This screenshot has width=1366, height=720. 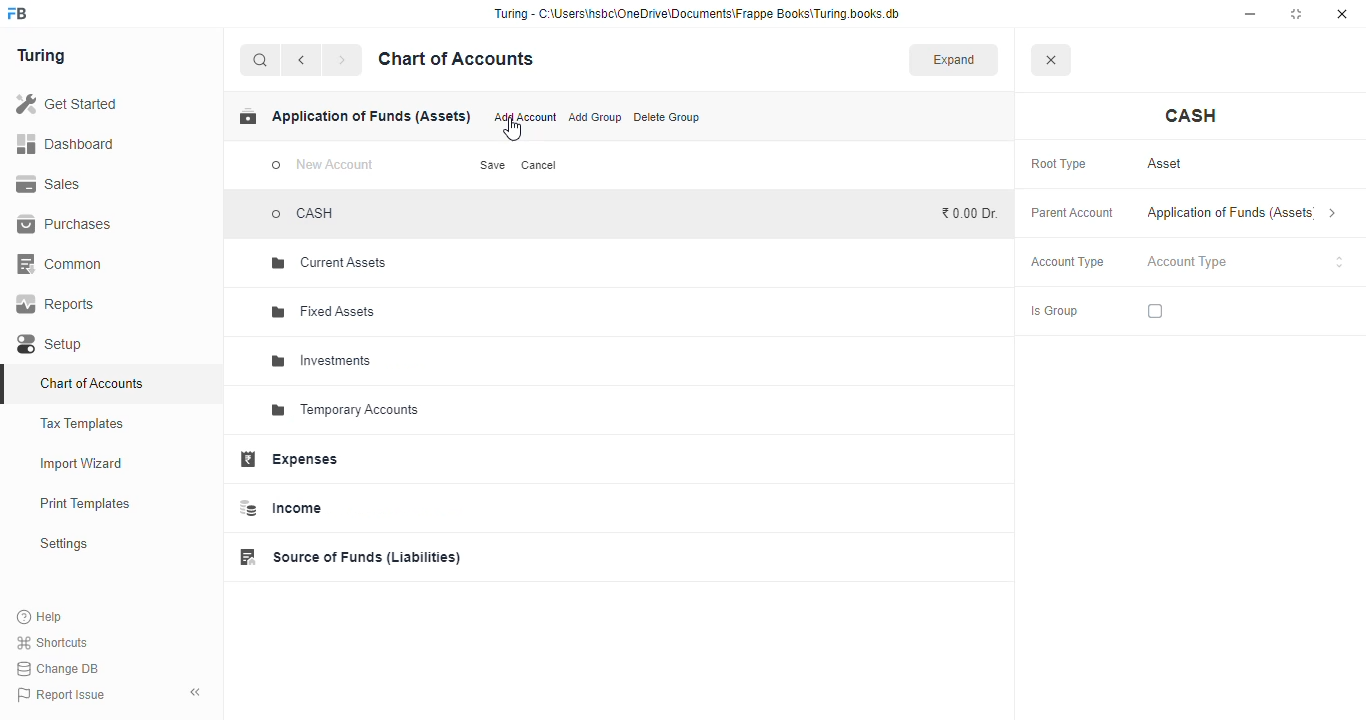 What do you see at coordinates (1068, 262) in the screenshot?
I see `account type` at bounding box center [1068, 262].